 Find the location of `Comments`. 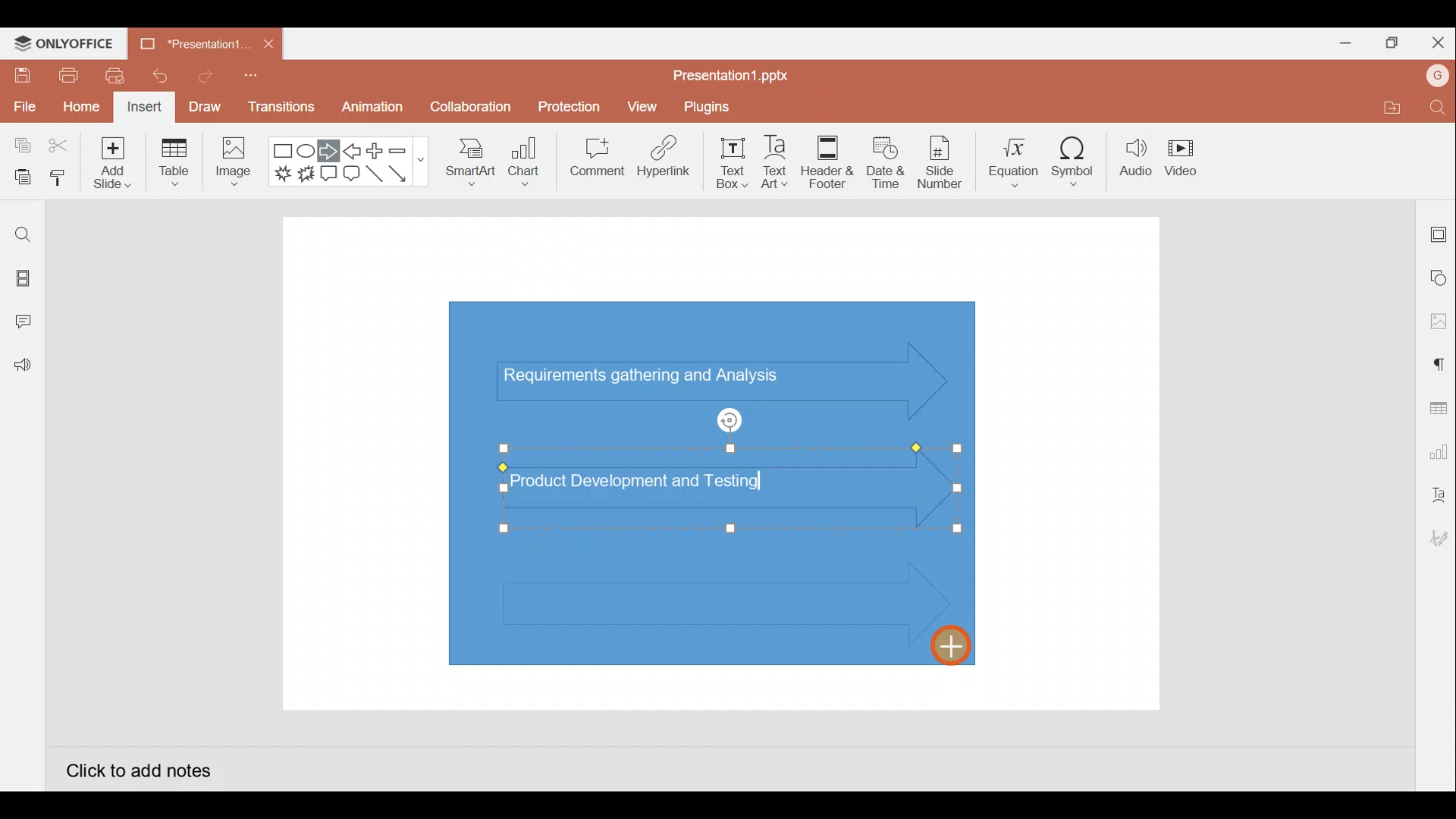

Comments is located at coordinates (27, 323).